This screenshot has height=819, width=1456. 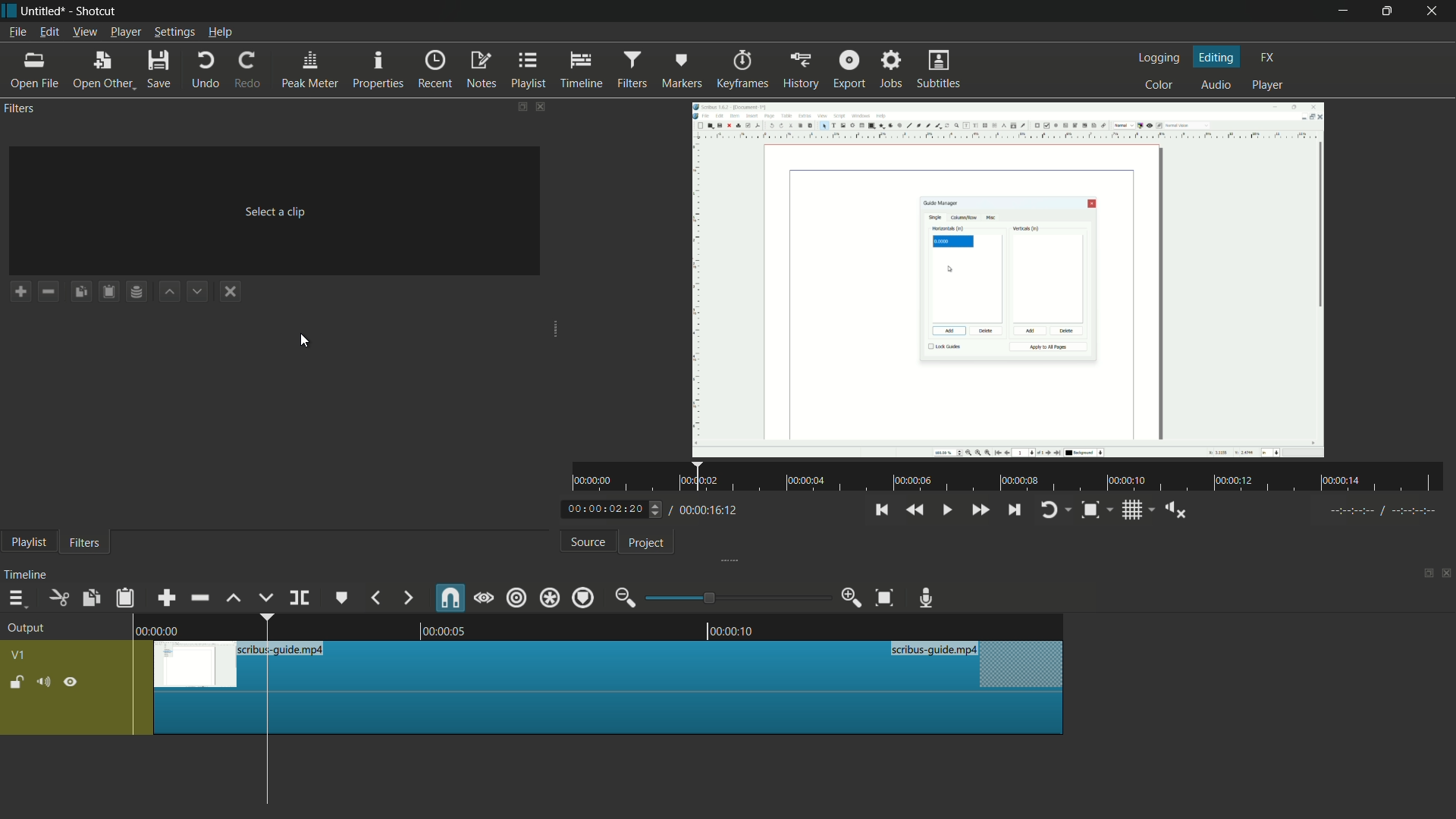 What do you see at coordinates (938, 68) in the screenshot?
I see `subtitles` at bounding box center [938, 68].